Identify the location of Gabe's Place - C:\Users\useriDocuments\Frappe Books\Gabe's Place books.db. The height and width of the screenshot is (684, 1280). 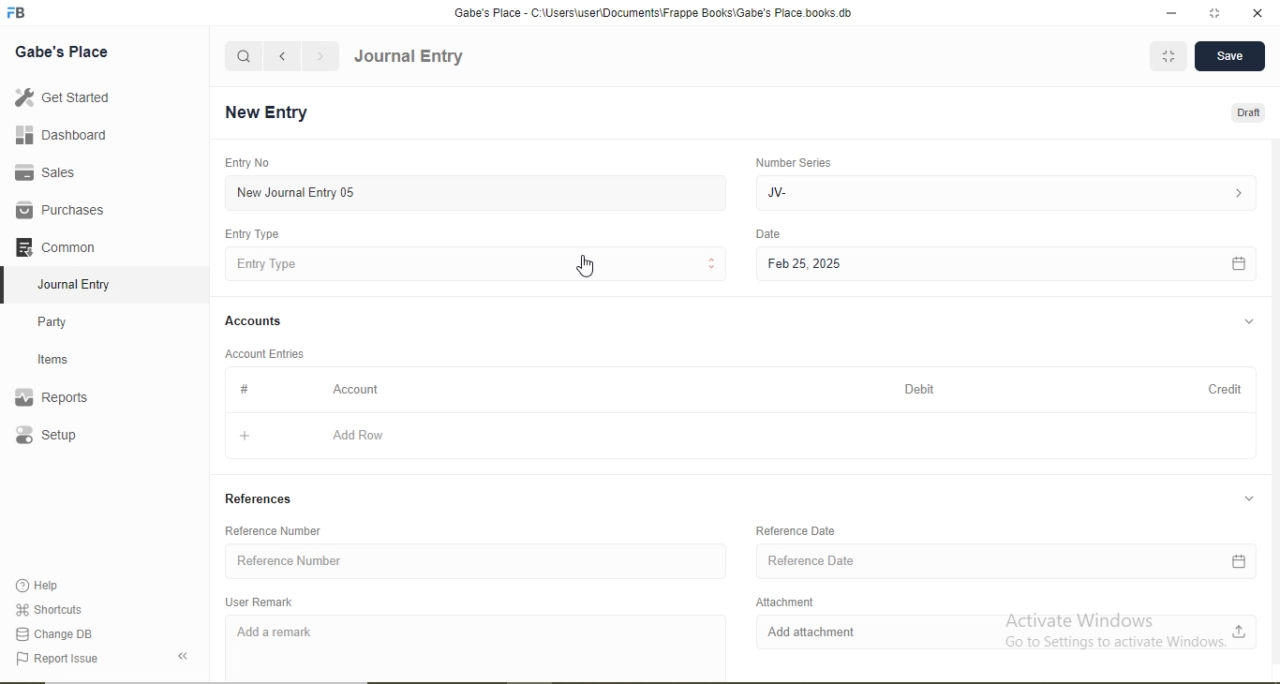
(655, 12).